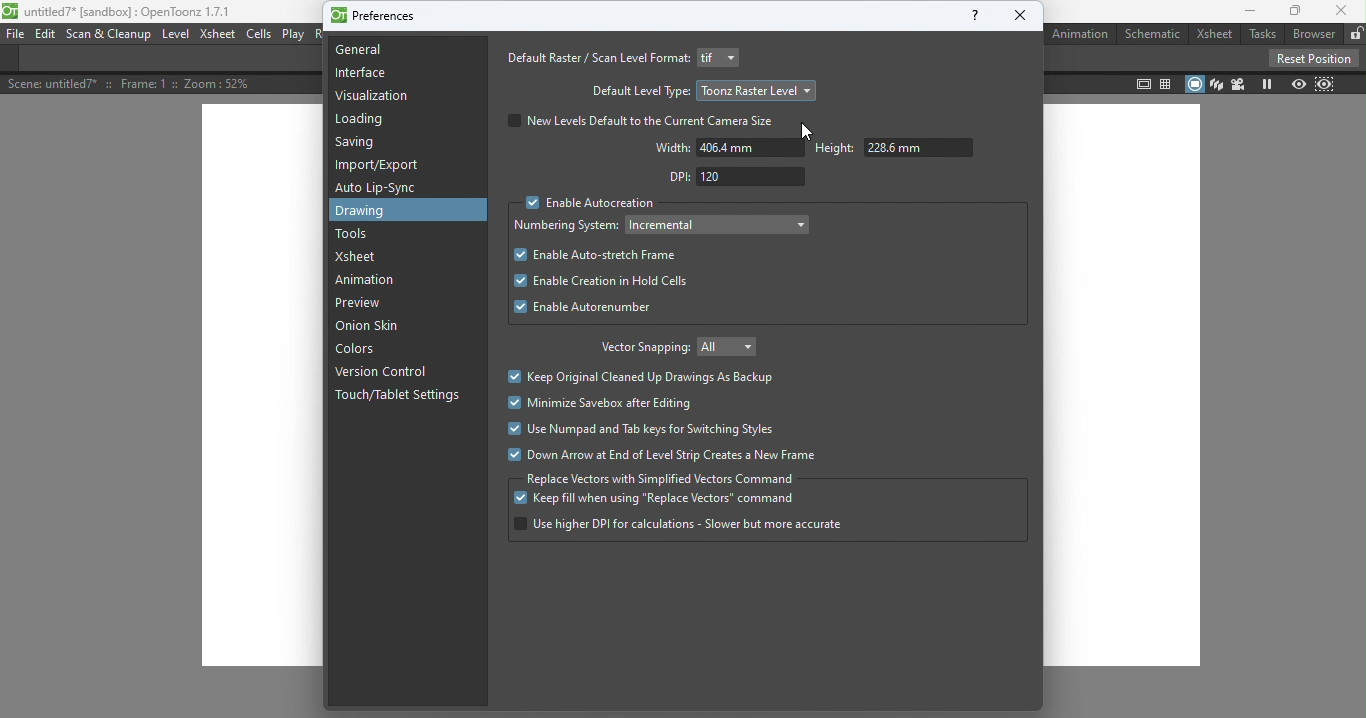  I want to click on Safe area, so click(1143, 84).